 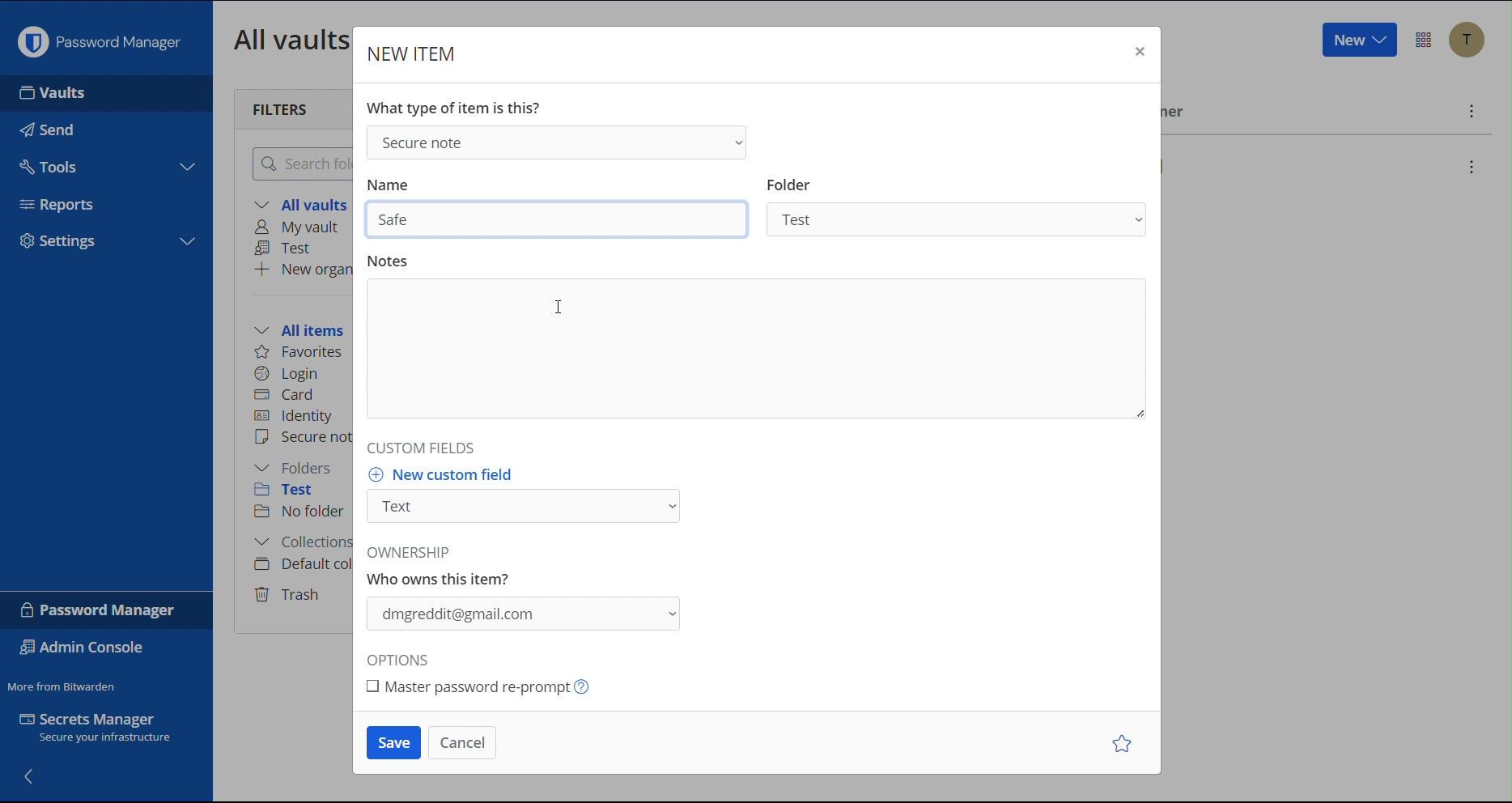 What do you see at coordinates (417, 447) in the screenshot?
I see `Custom Fields` at bounding box center [417, 447].